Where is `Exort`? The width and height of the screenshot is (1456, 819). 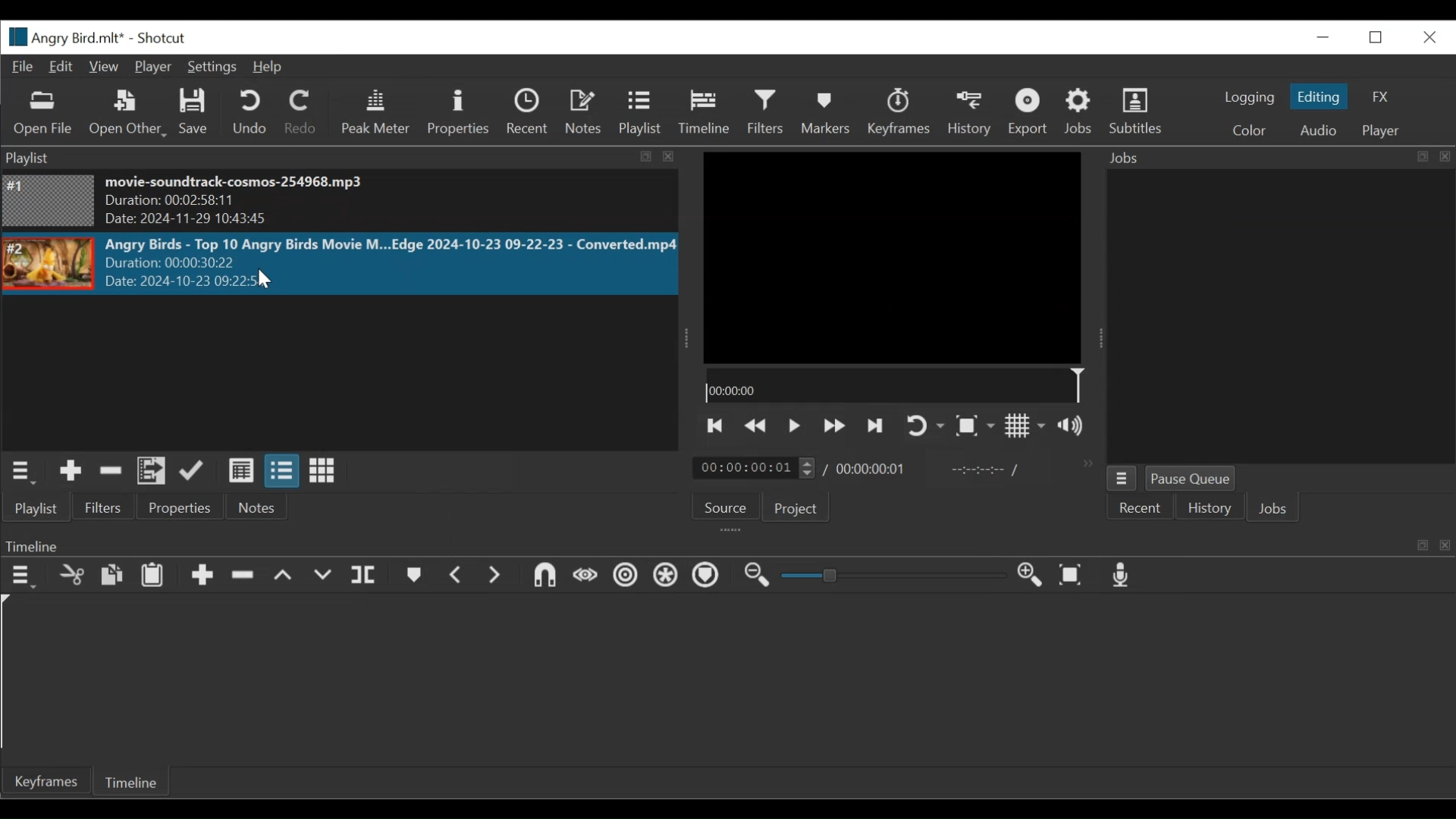
Exort is located at coordinates (1030, 113).